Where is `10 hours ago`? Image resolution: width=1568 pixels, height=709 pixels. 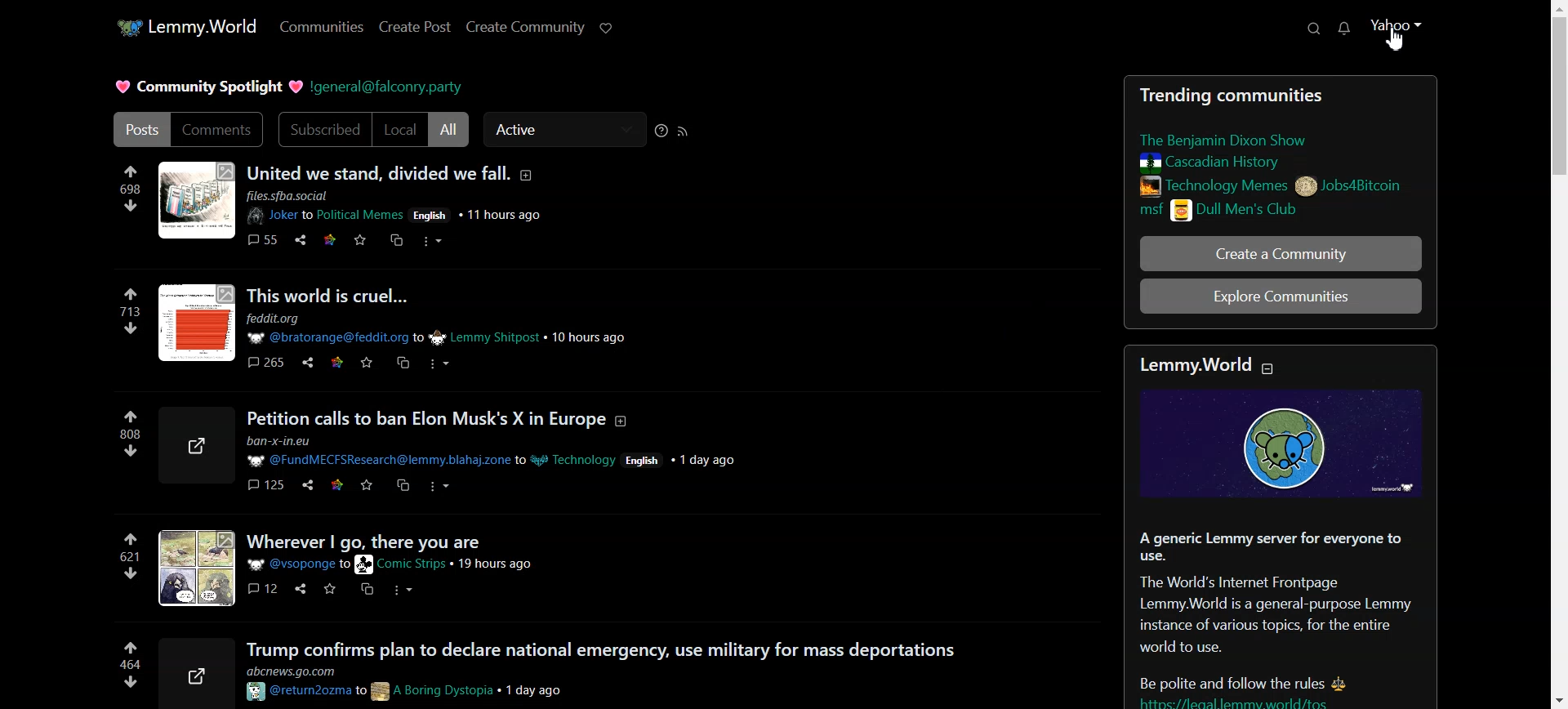 10 hours ago is located at coordinates (594, 337).